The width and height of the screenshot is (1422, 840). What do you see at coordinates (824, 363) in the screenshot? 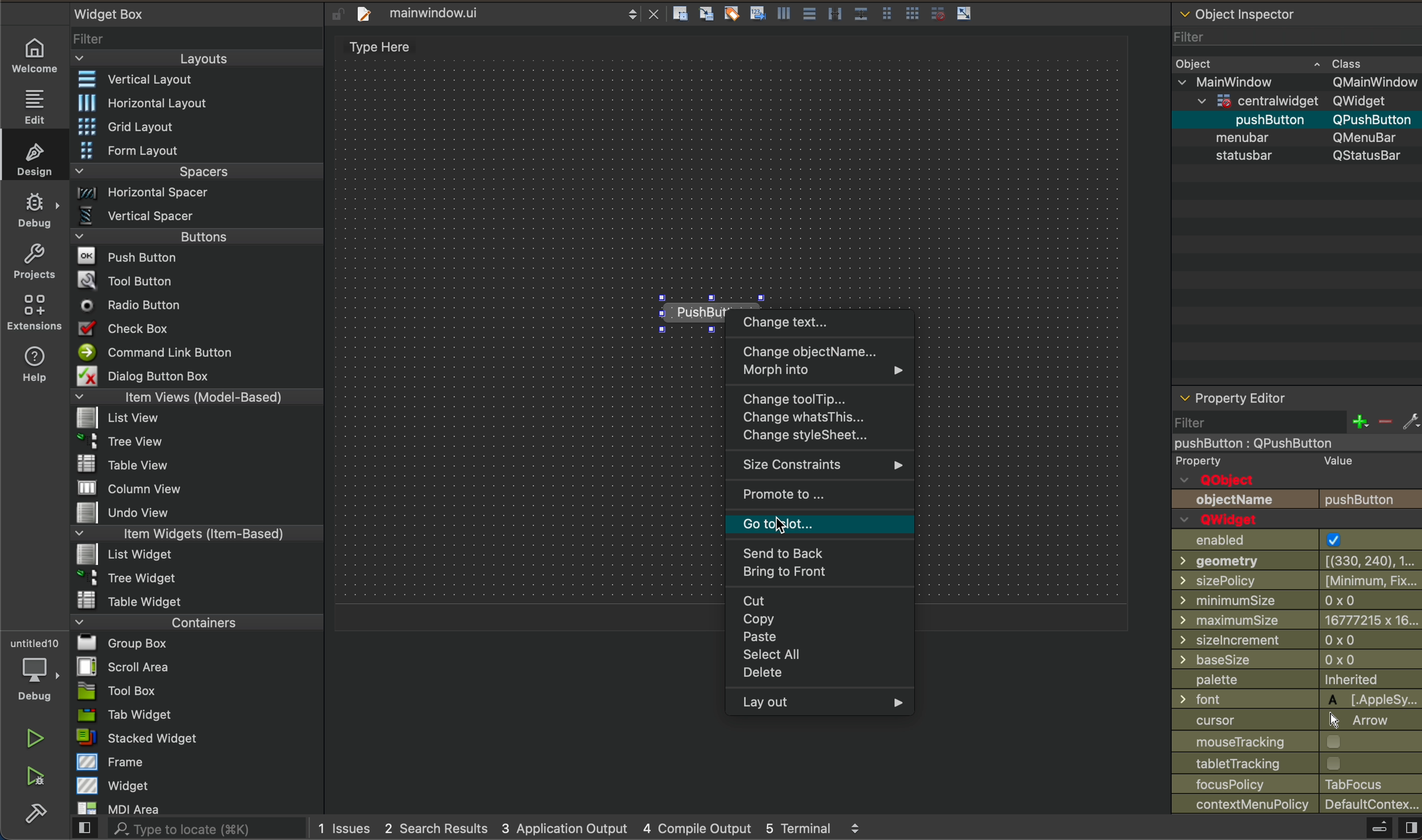
I see `change object and morph info` at bounding box center [824, 363].